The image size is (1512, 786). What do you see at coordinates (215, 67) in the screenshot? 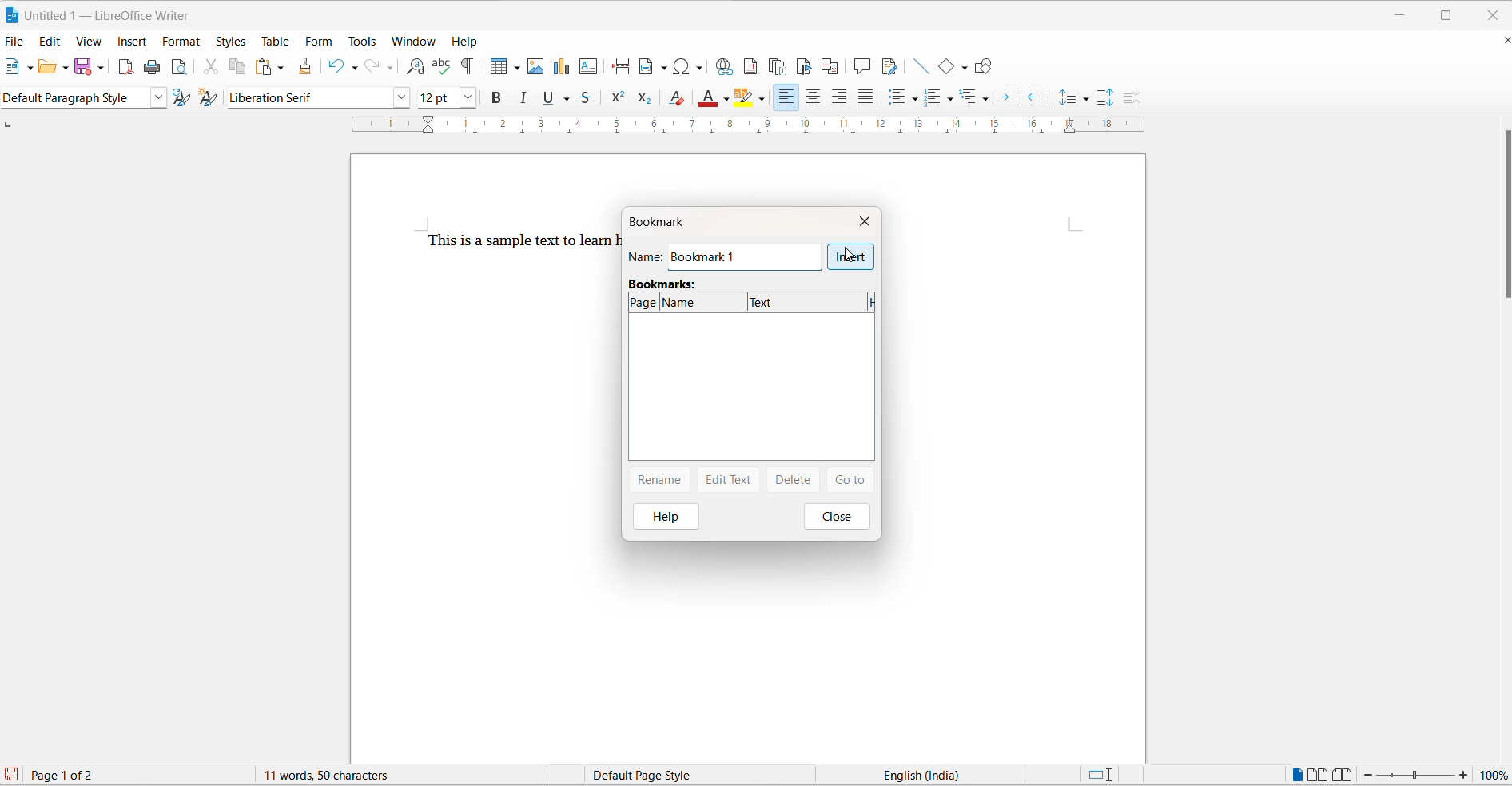
I see `cut` at bounding box center [215, 67].